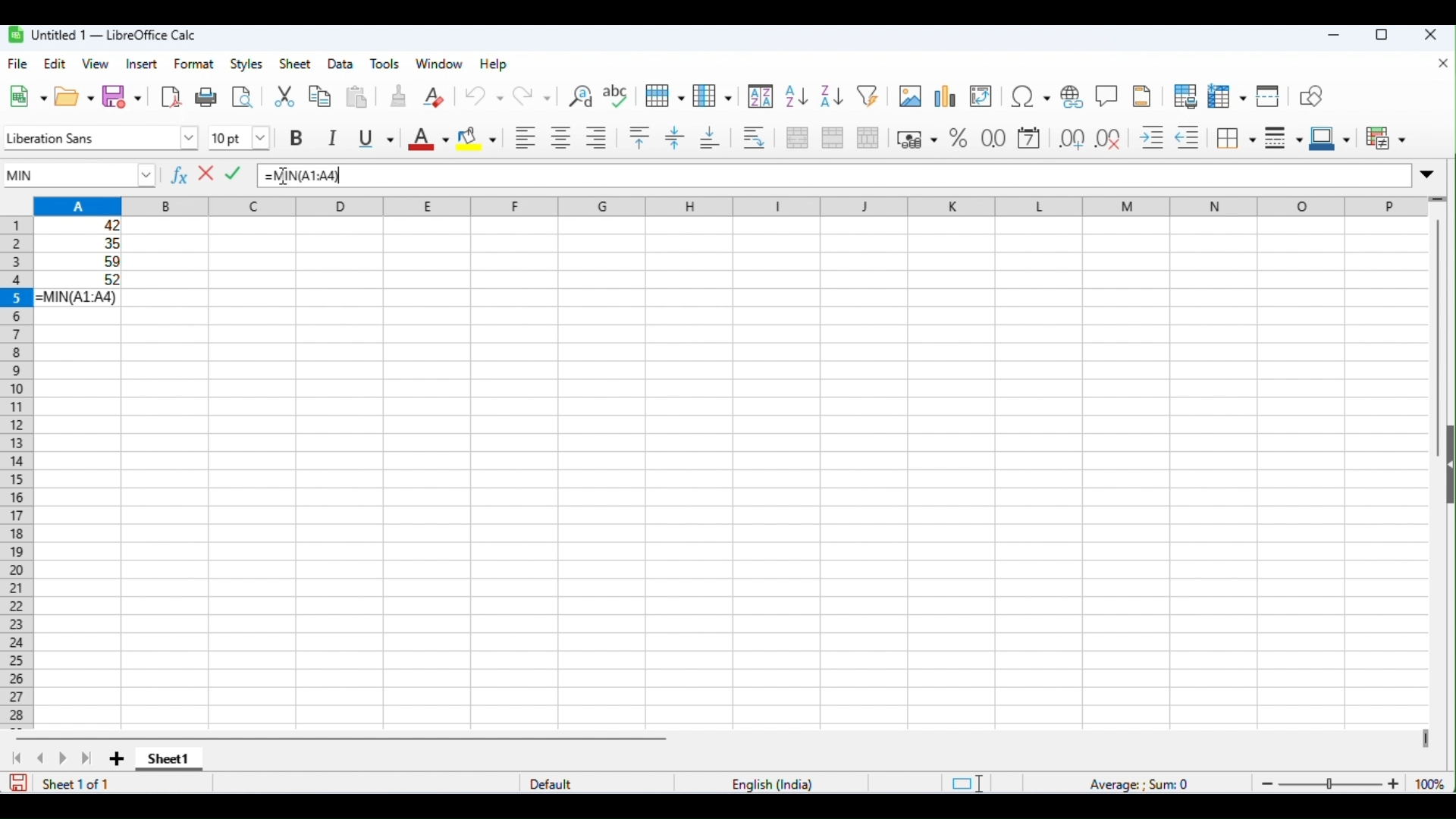 Image resolution: width=1456 pixels, height=819 pixels. Describe the element at coordinates (1071, 138) in the screenshot. I see `add decimal place` at that location.